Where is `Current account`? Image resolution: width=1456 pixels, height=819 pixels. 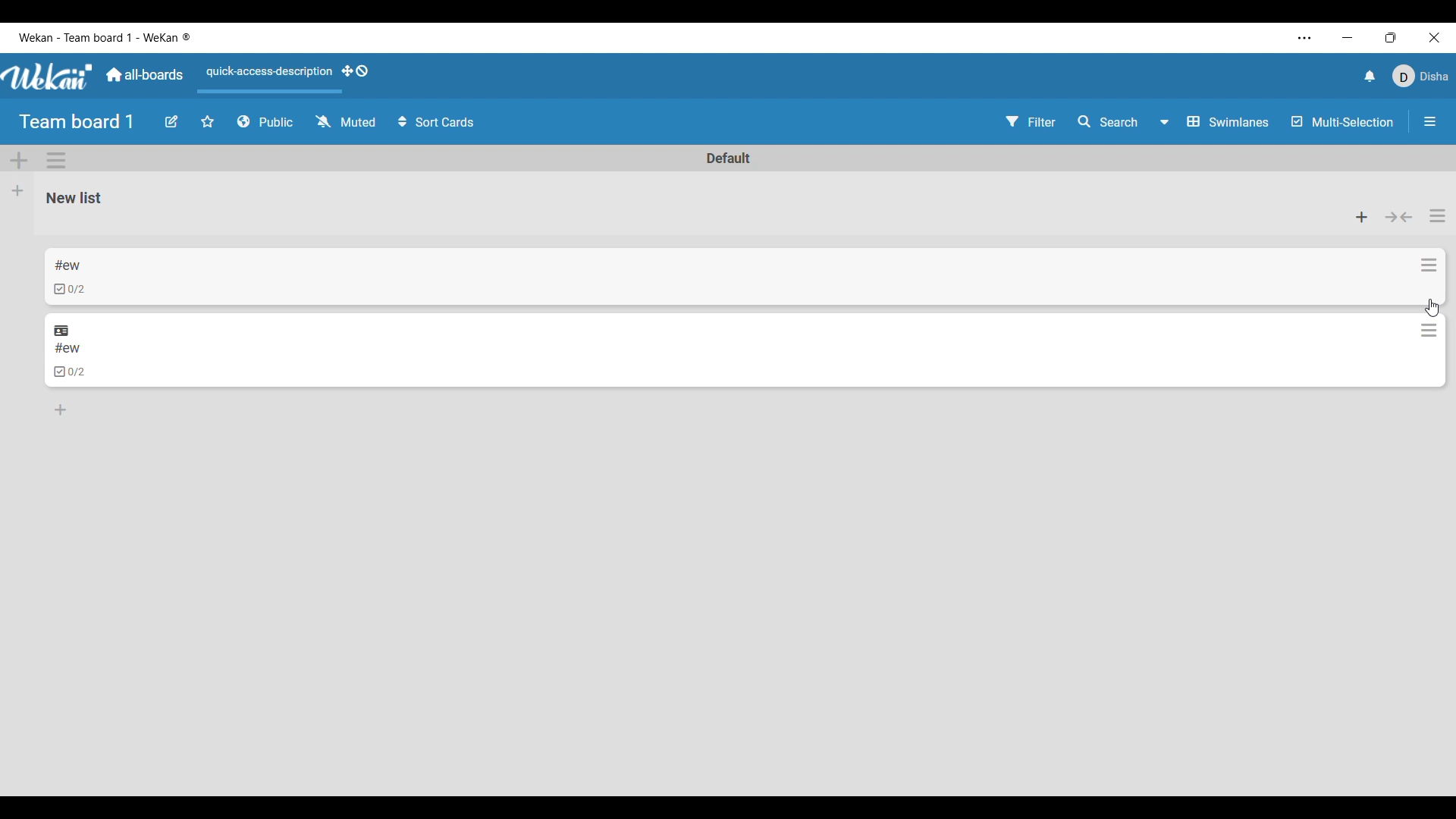
Current account is located at coordinates (1420, 77).